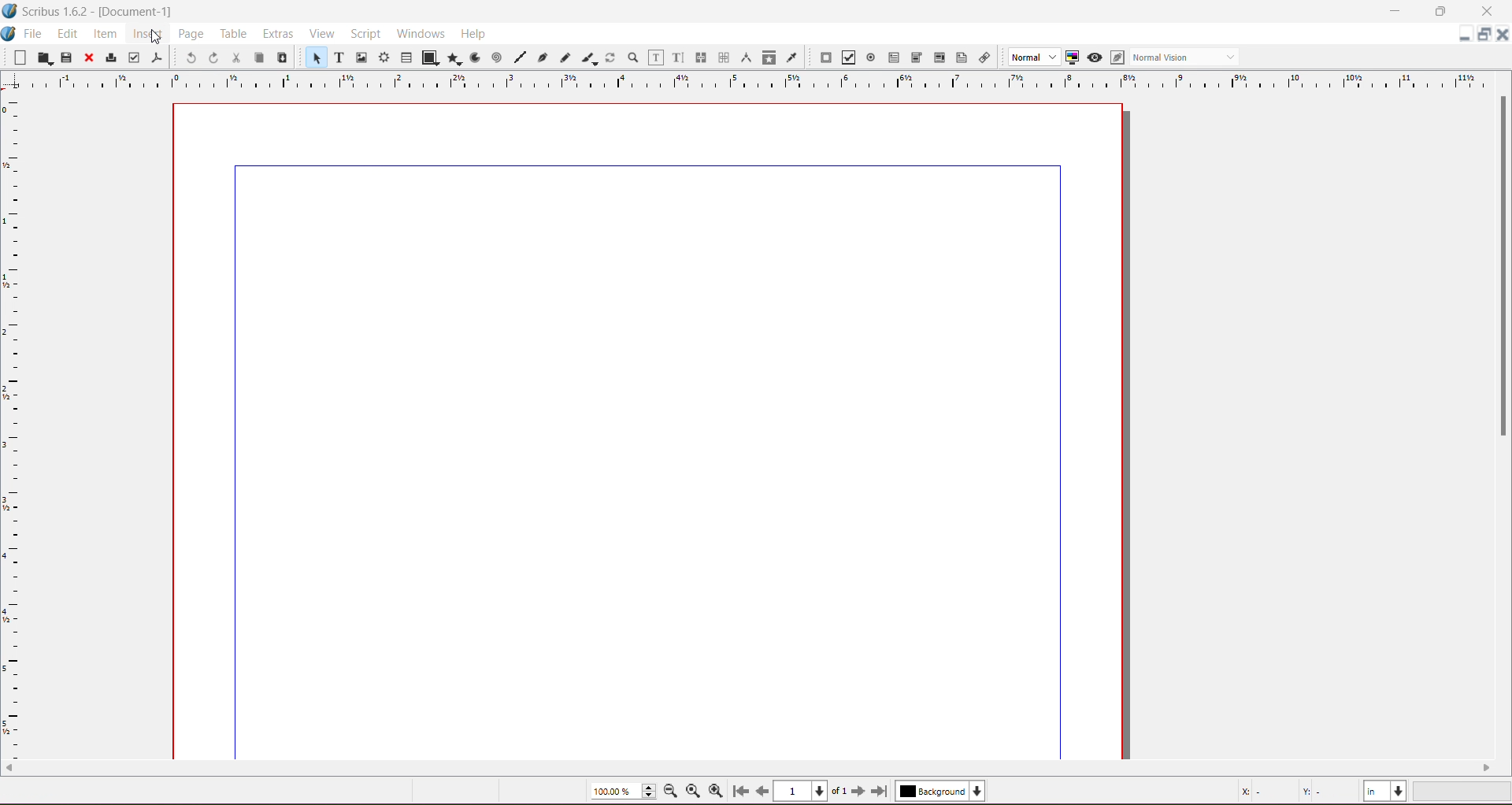 This screenshot has height=805, width=1512. Describe the element at coordinates (213, 58) in the screenshot. I see `Redo` at that location.